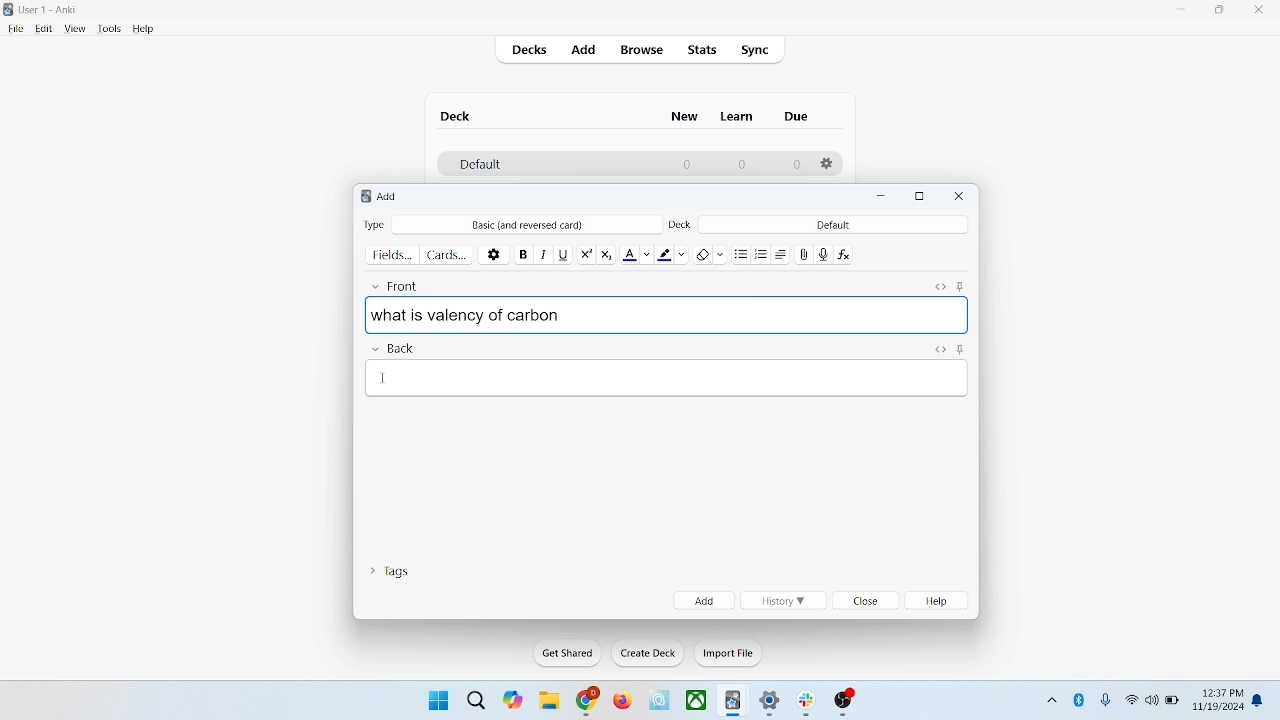 The image size is (1280, 720). What do you see at coordinates (640, 253) in the screenshot?
I see `text color` at bounding box center [640, 253].